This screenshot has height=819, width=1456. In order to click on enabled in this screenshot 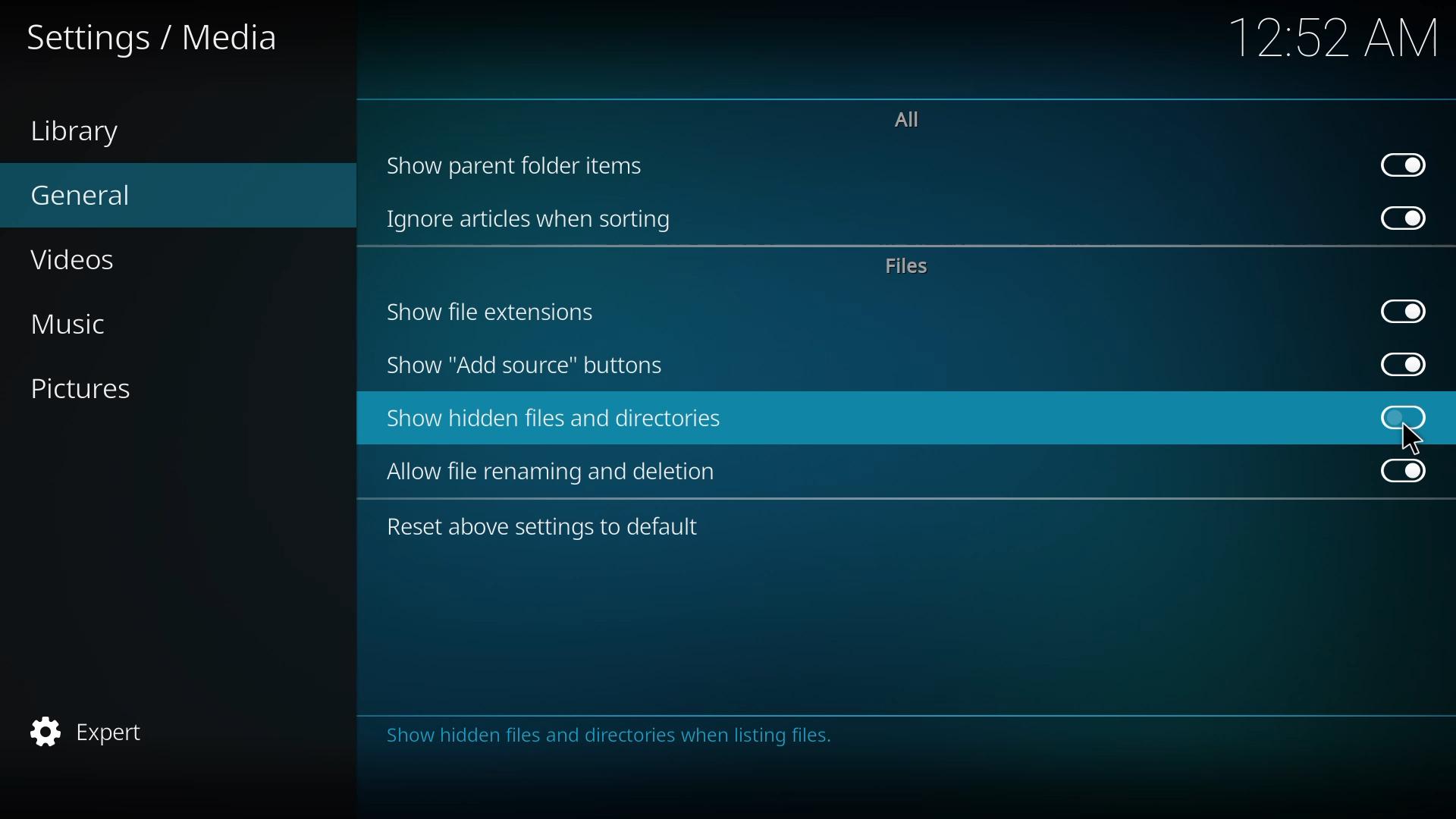, I will do `click(1407, 311)`.